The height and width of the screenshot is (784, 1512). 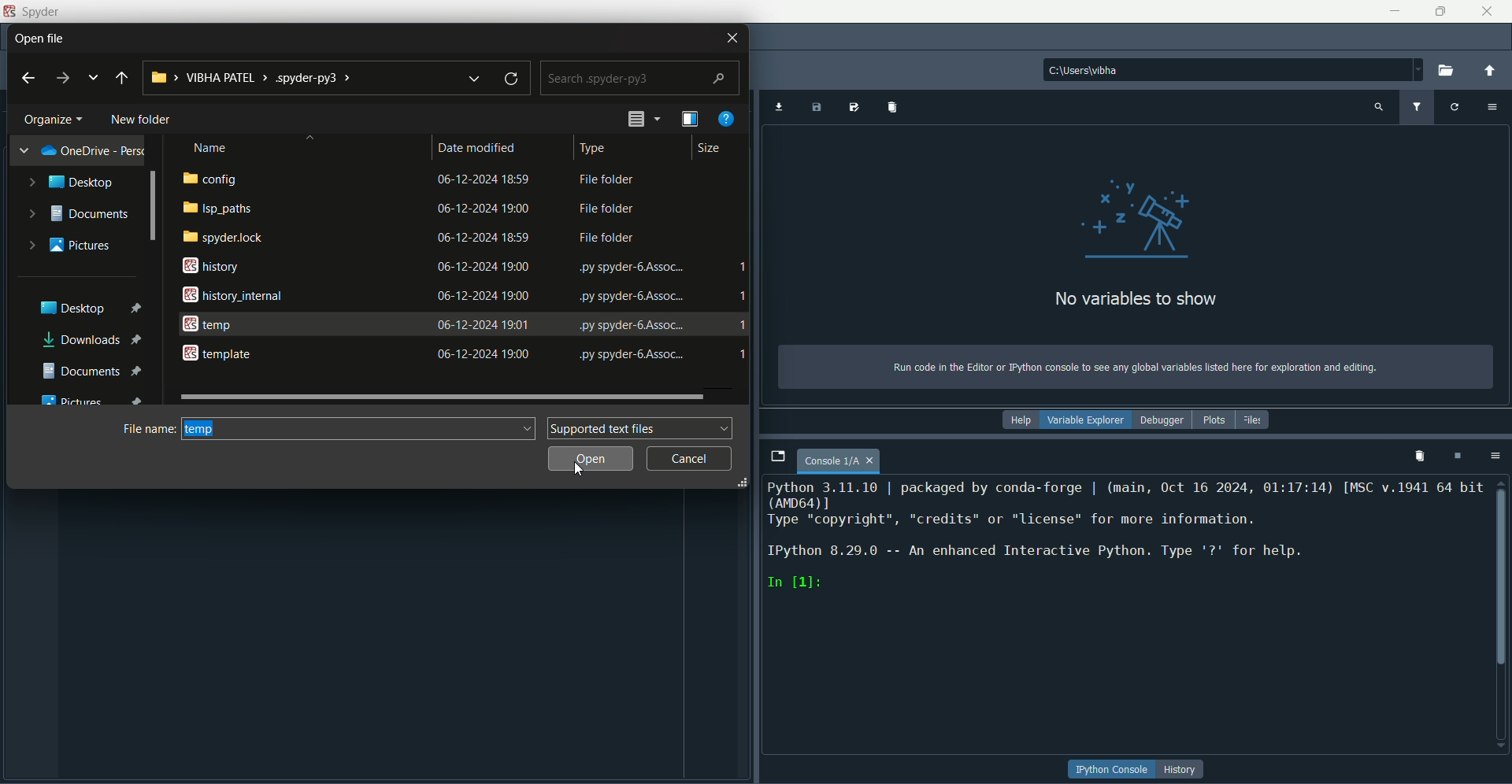 What do you see at coordinates (92, 369) in the screenshot?
I see `documents` at bounding box center [92, 369].